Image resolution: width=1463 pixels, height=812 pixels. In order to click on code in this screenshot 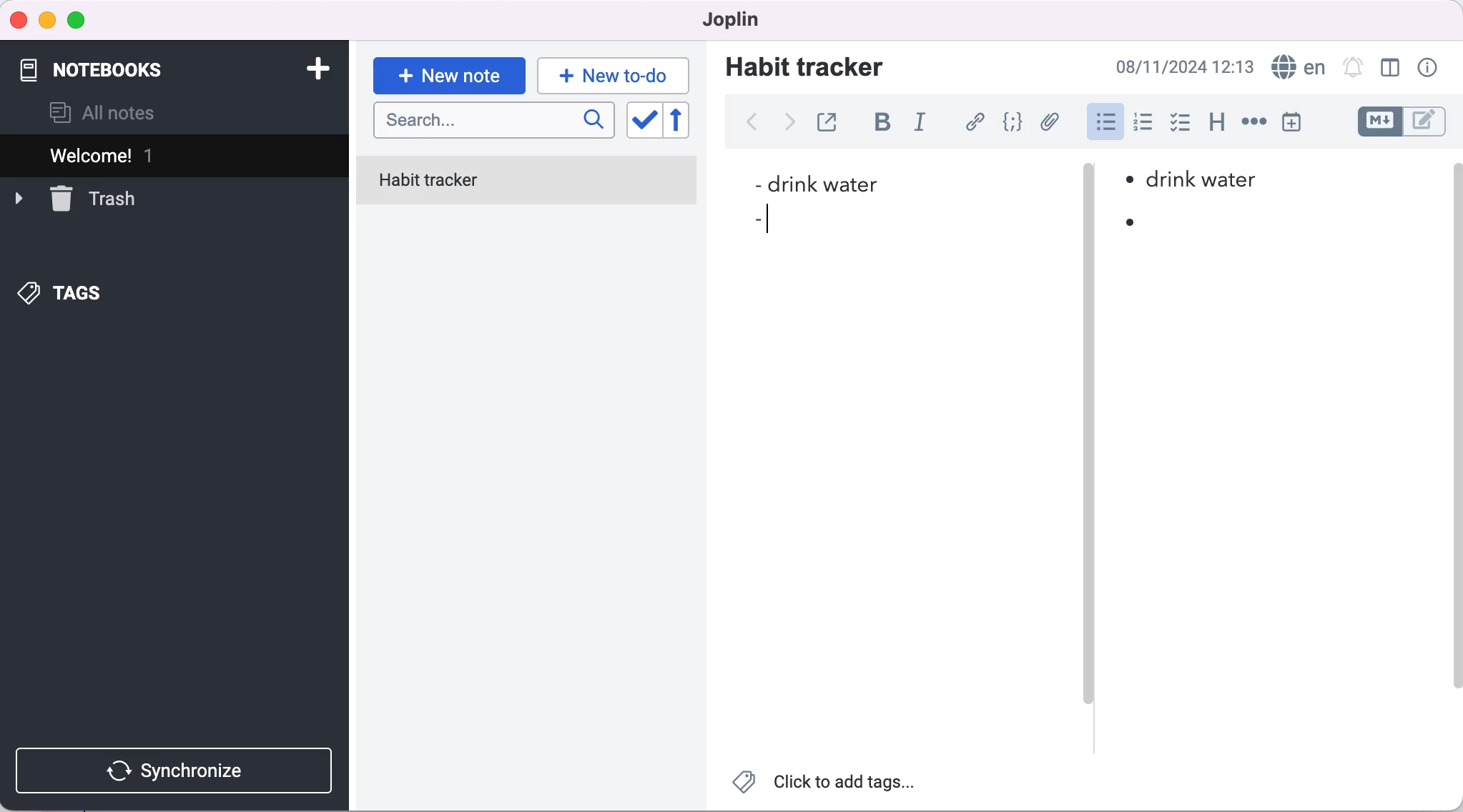, I will do `click(1015, 122)`.